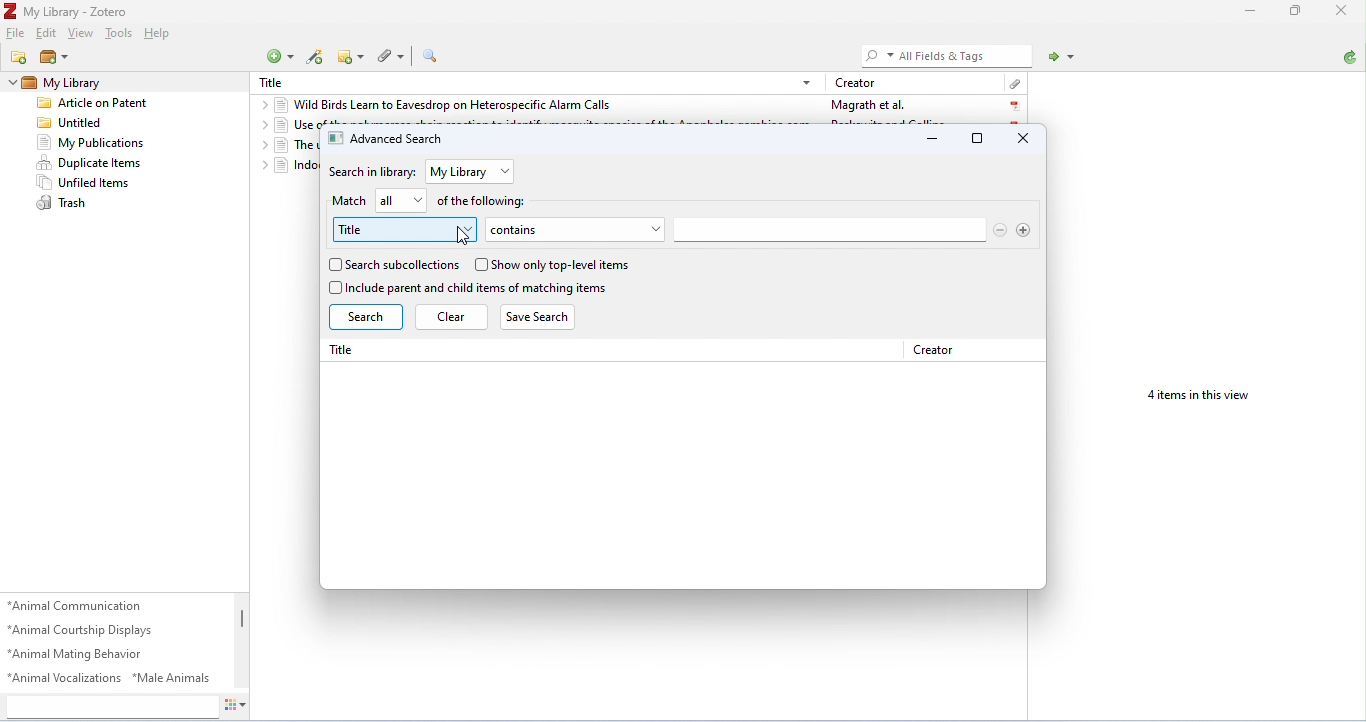  Describe the element at coordinates (45, 32) in the screenshot. I see `edit` at that location.